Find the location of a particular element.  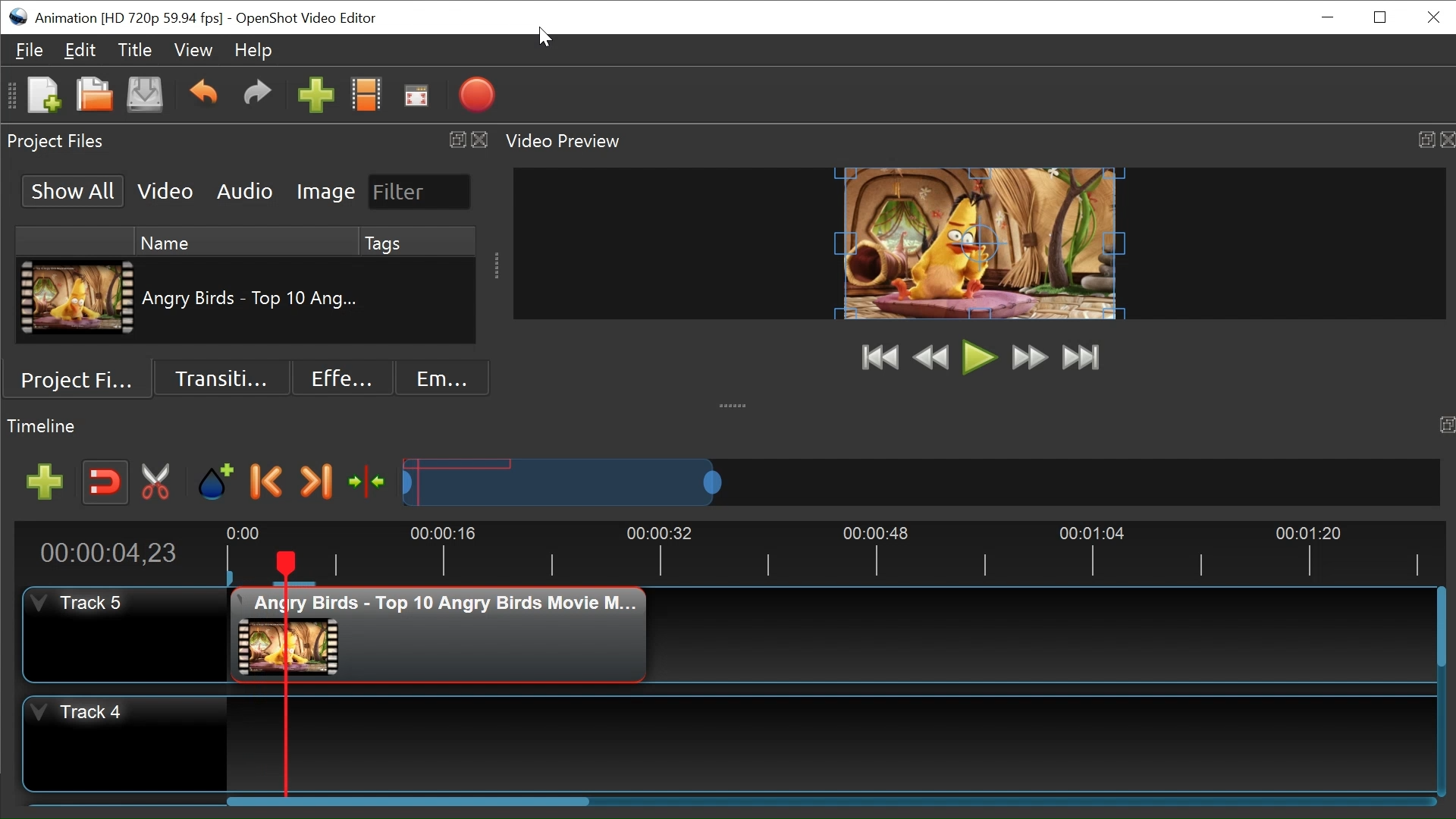

Vertical Scroll bar is located at coordinates (411, 800).